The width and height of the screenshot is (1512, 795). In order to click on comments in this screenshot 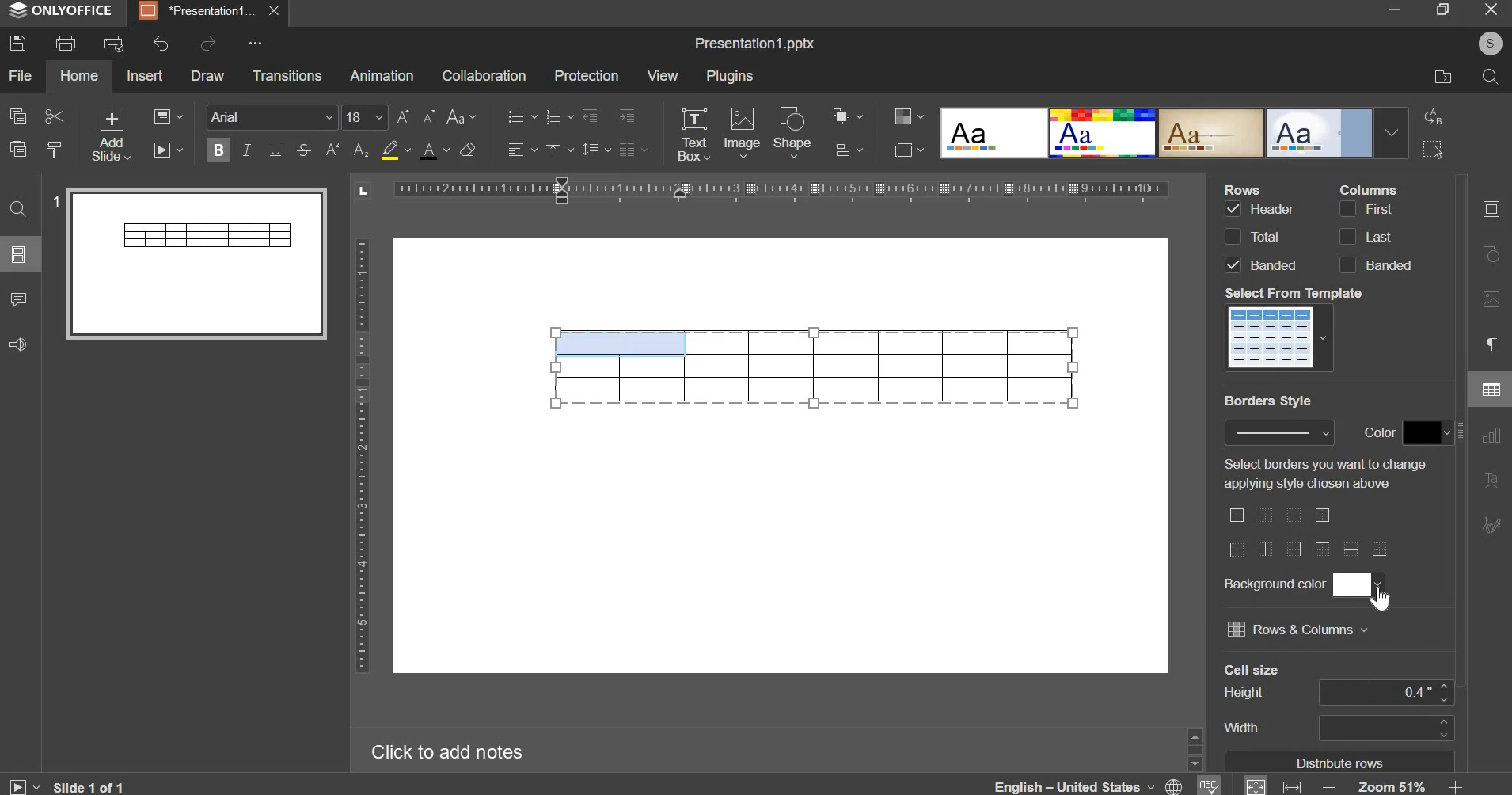, I will do `click(18, 299)`.